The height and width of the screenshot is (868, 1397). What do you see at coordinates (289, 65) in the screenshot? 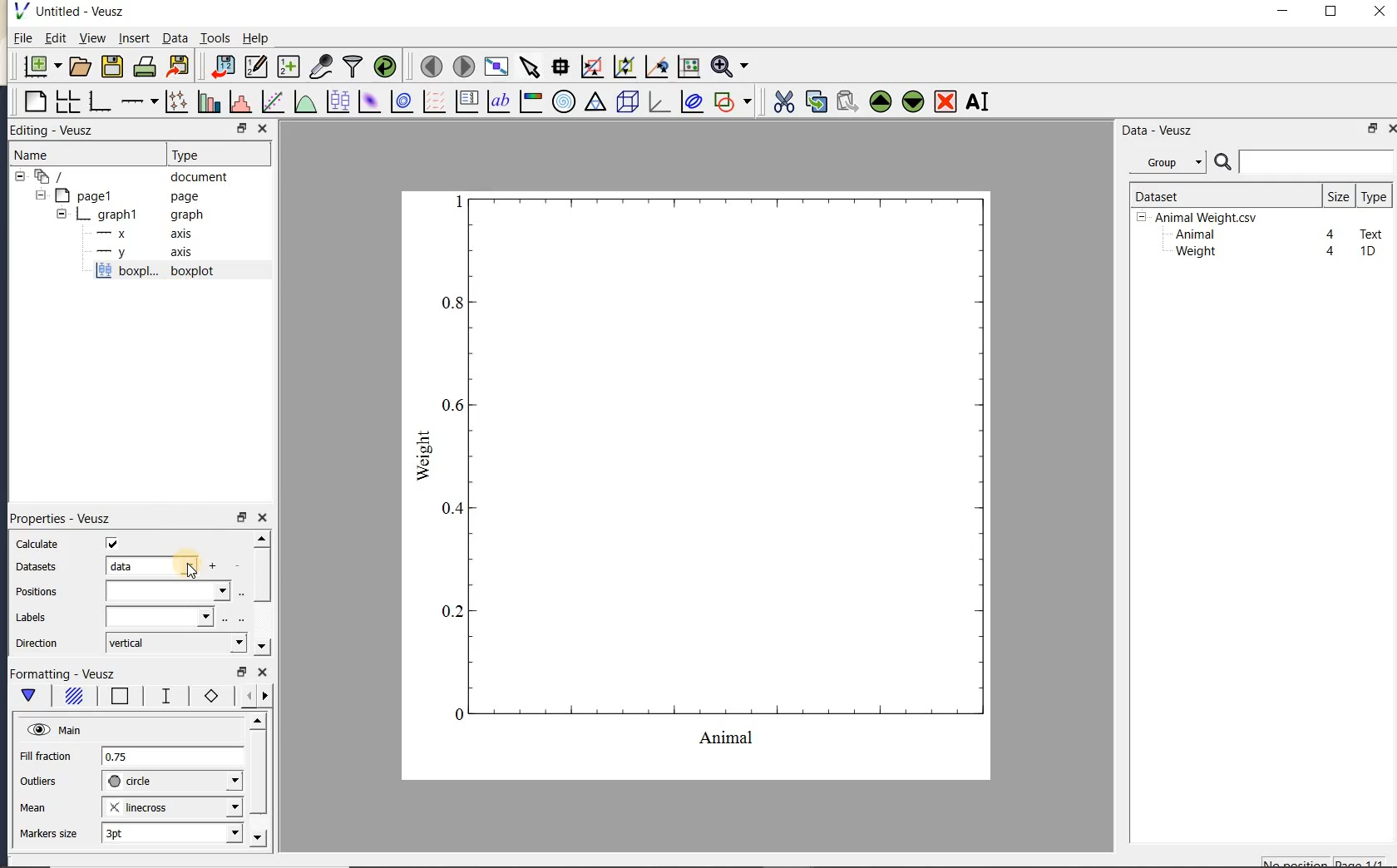
I see `create new datasets` at bounding box center [289, 65].